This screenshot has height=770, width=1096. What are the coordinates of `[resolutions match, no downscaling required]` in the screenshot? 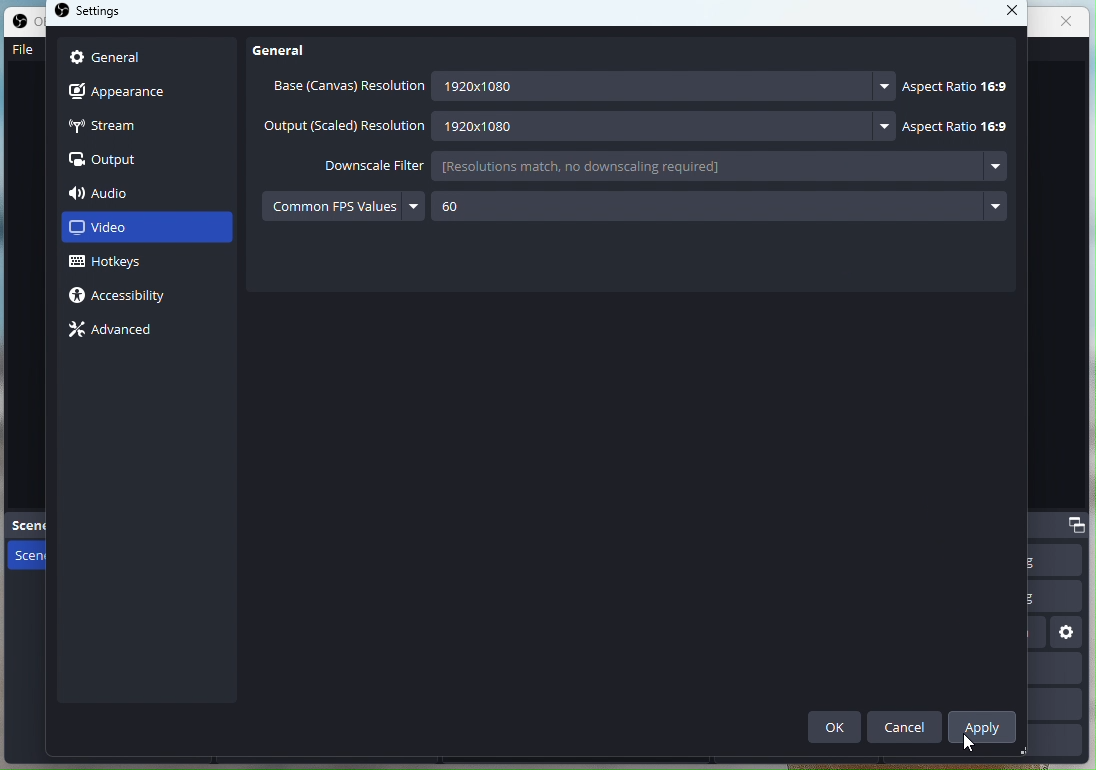 It's located at (646, 165).